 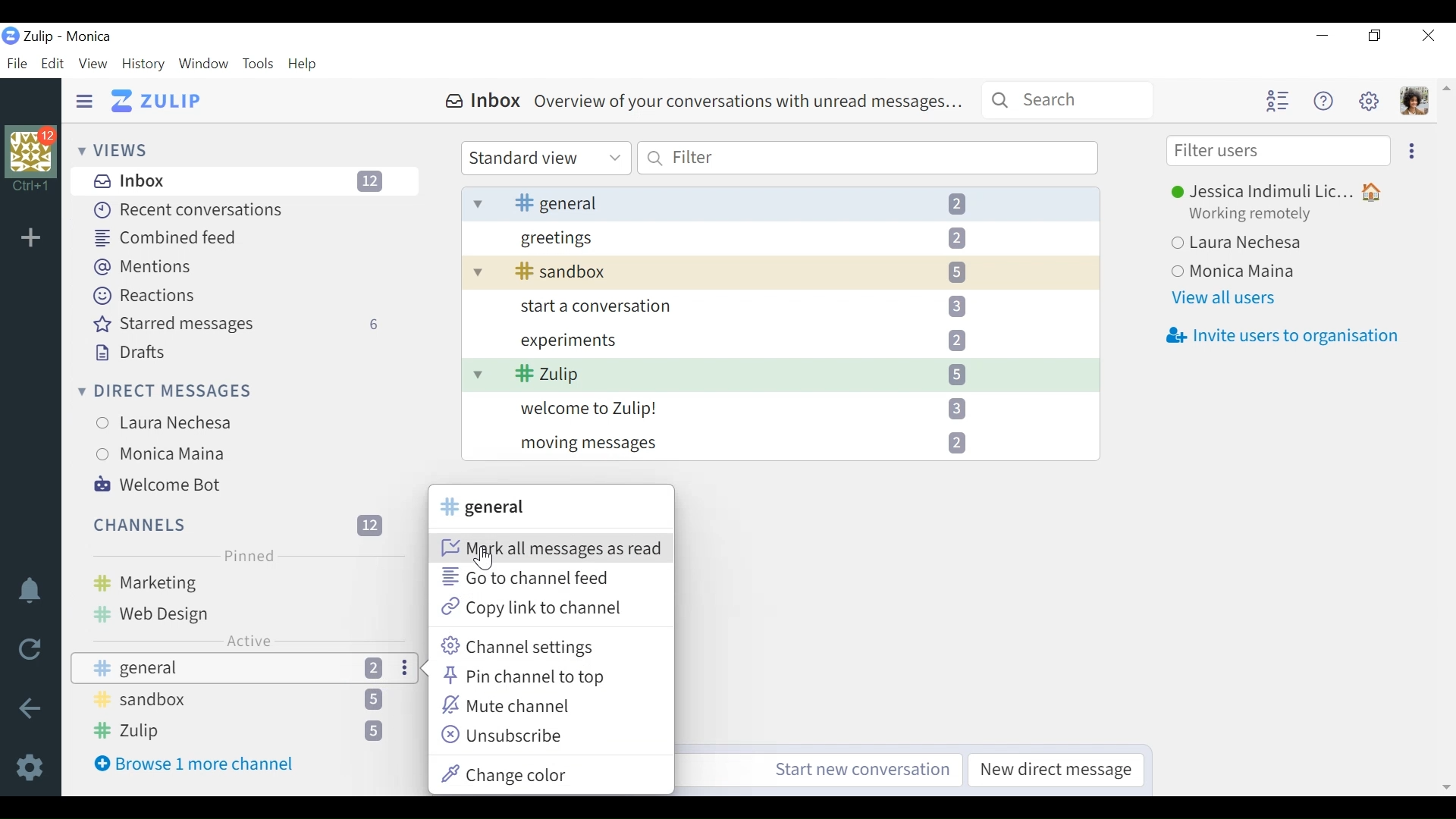 I want to click on Ctrl + 1, so click(x=31, y=188).